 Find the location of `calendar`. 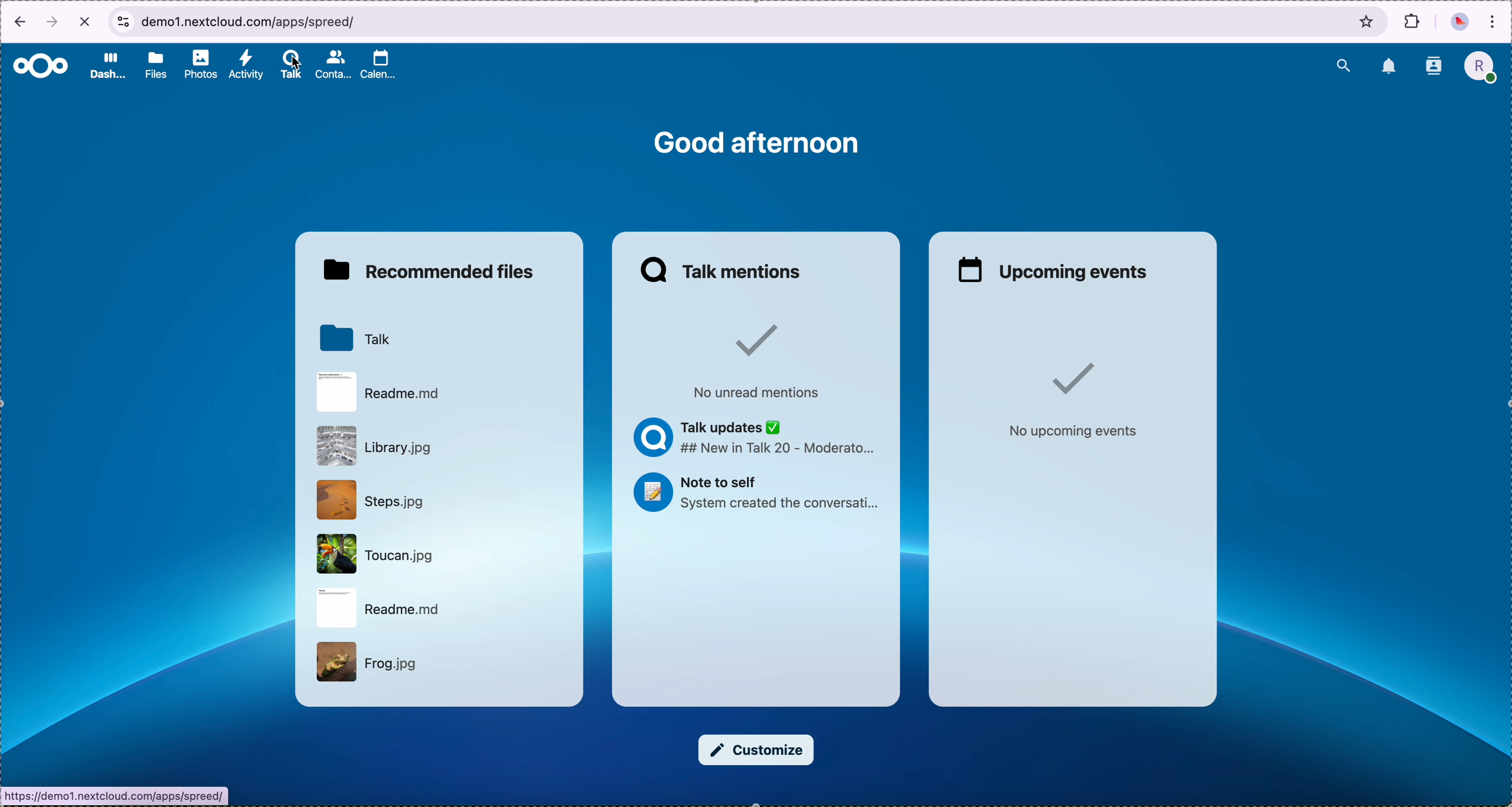

calendar is located at coordinates (383, 66).